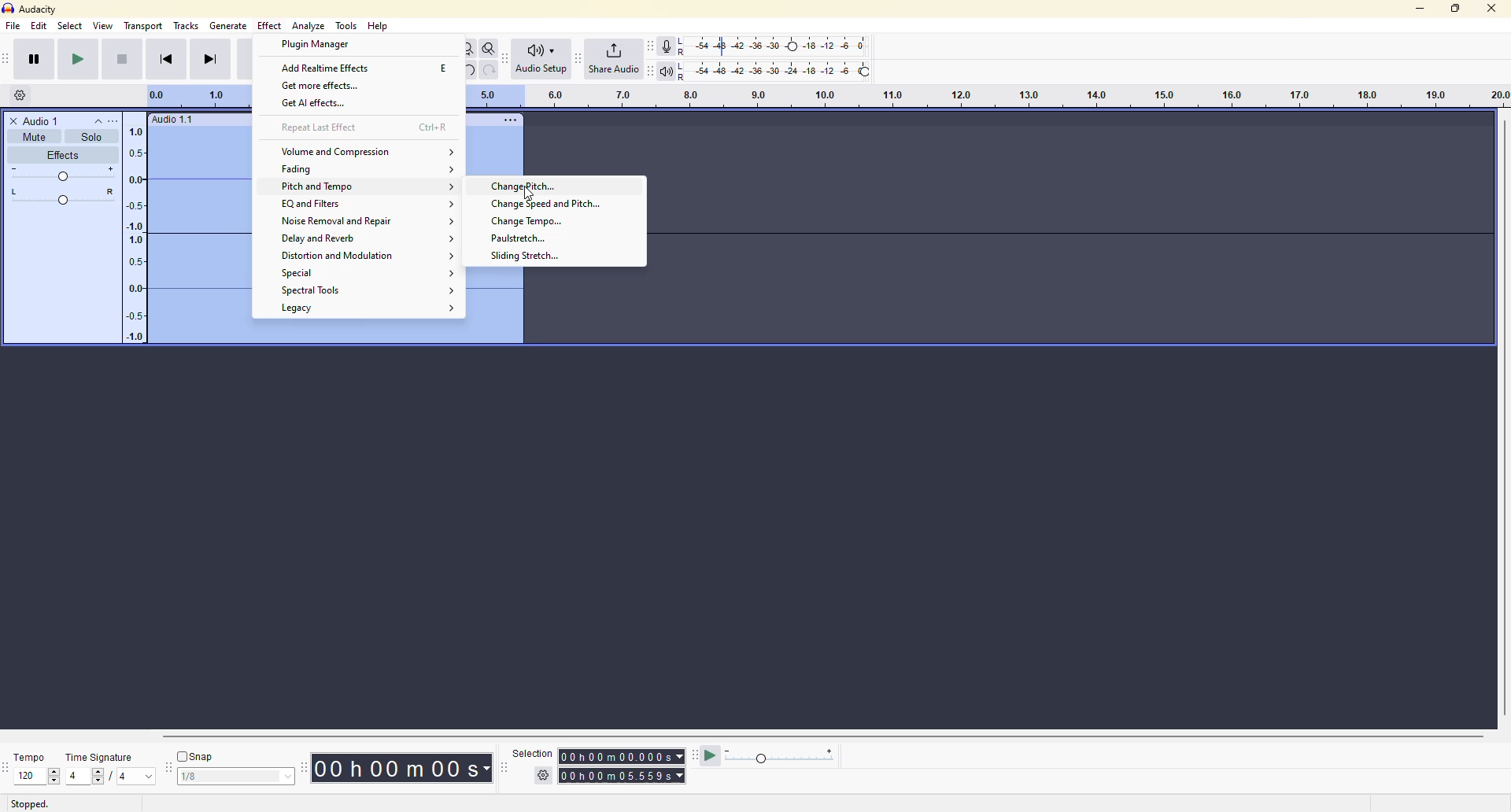 This screenshot has height=812, width=1511. Describe the element at coordinates (380, 26) in the screenshot. I see `help` at that location.